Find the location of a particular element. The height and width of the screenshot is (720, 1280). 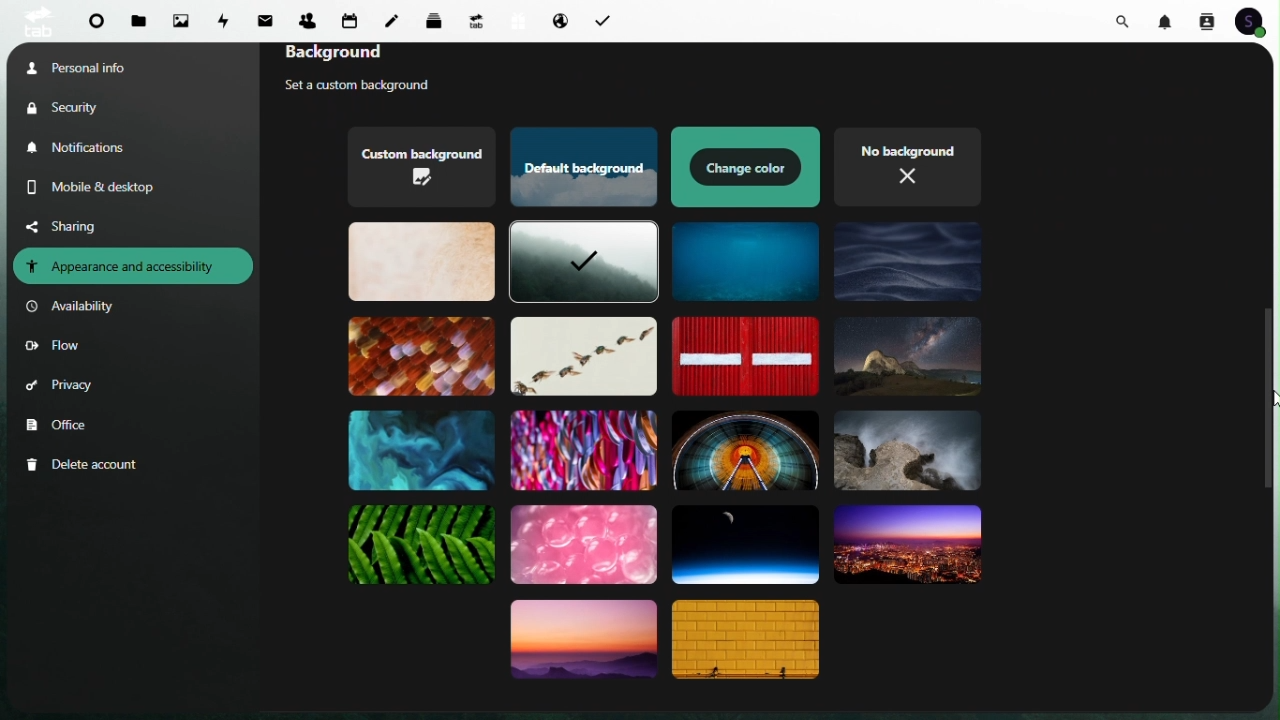

Notifications is located at coordinates (1168, 20).